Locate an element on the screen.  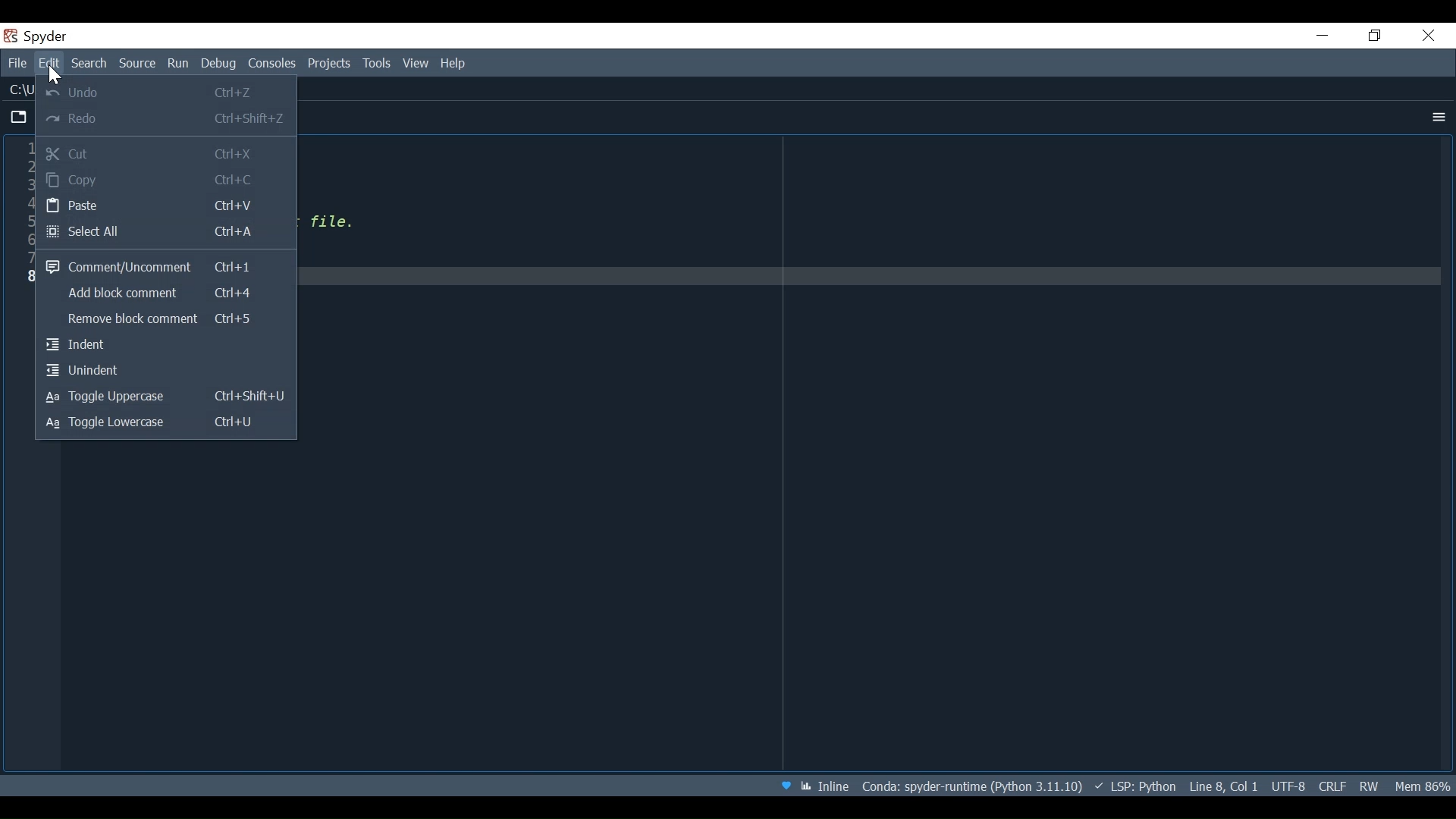
Help Spyder is located at coordinates (788, 783).